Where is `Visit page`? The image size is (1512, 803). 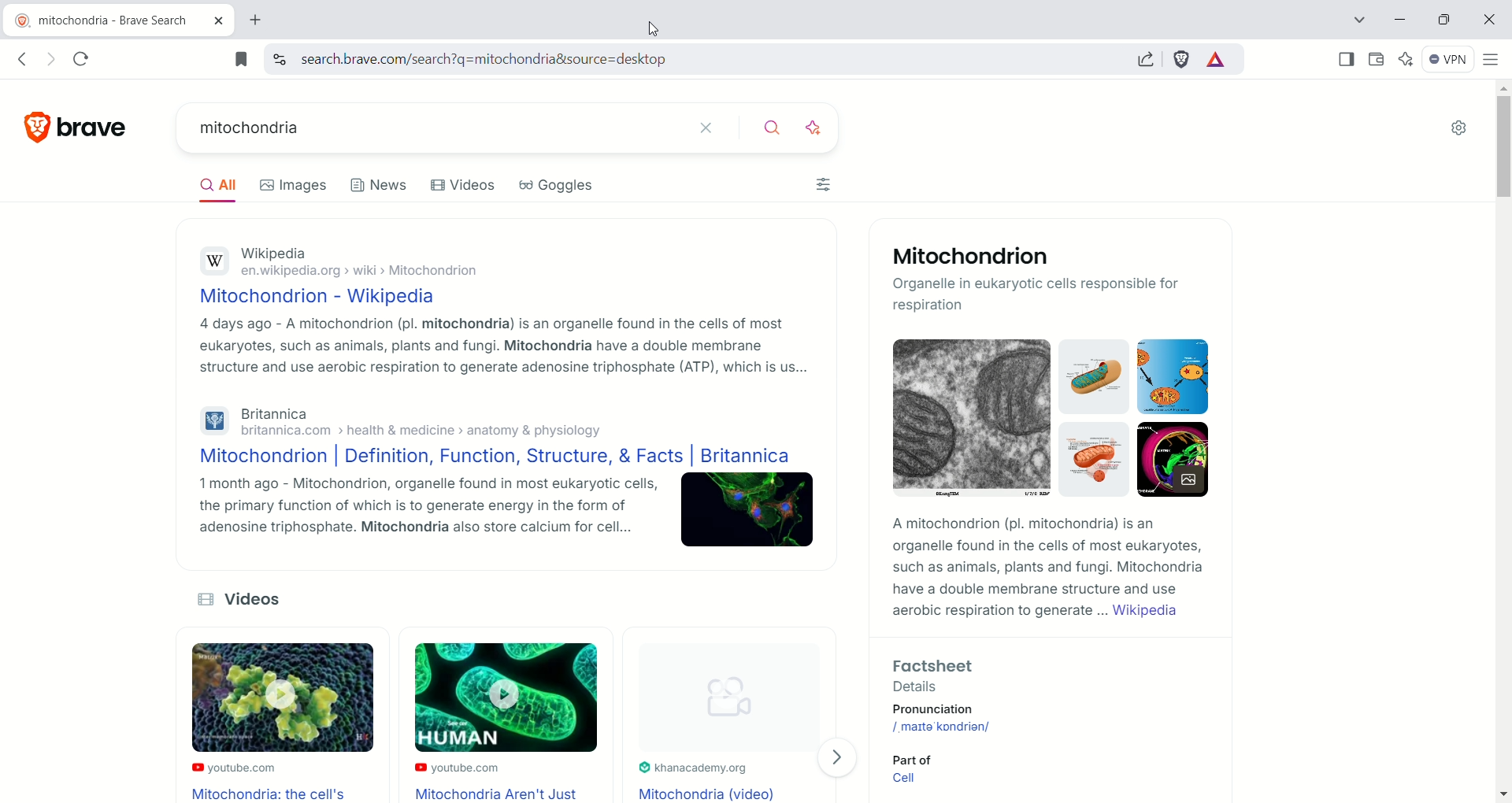
Visit page is located at coordinates (842, 757).